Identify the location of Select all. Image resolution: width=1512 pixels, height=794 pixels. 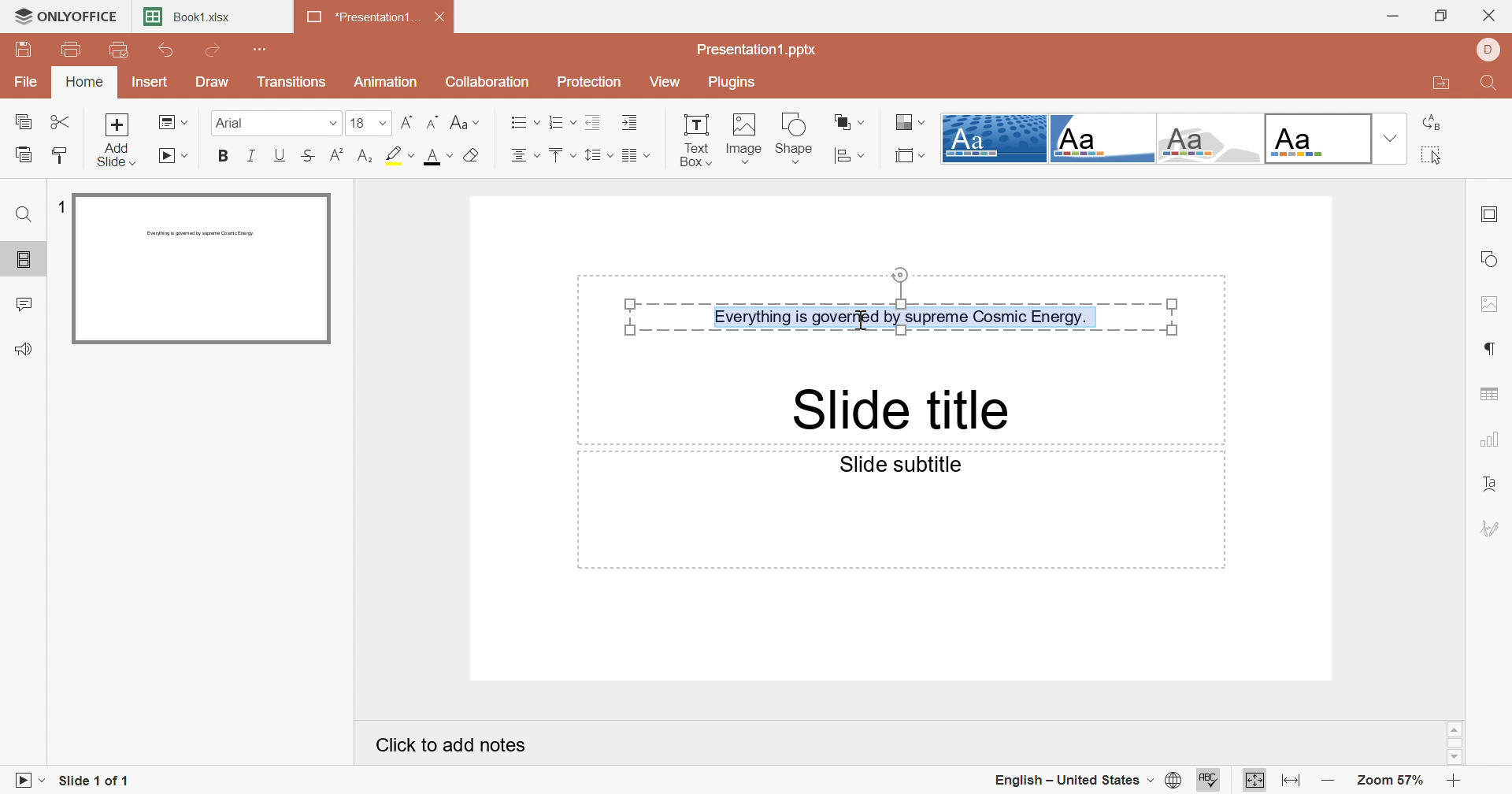
(1436, 155).